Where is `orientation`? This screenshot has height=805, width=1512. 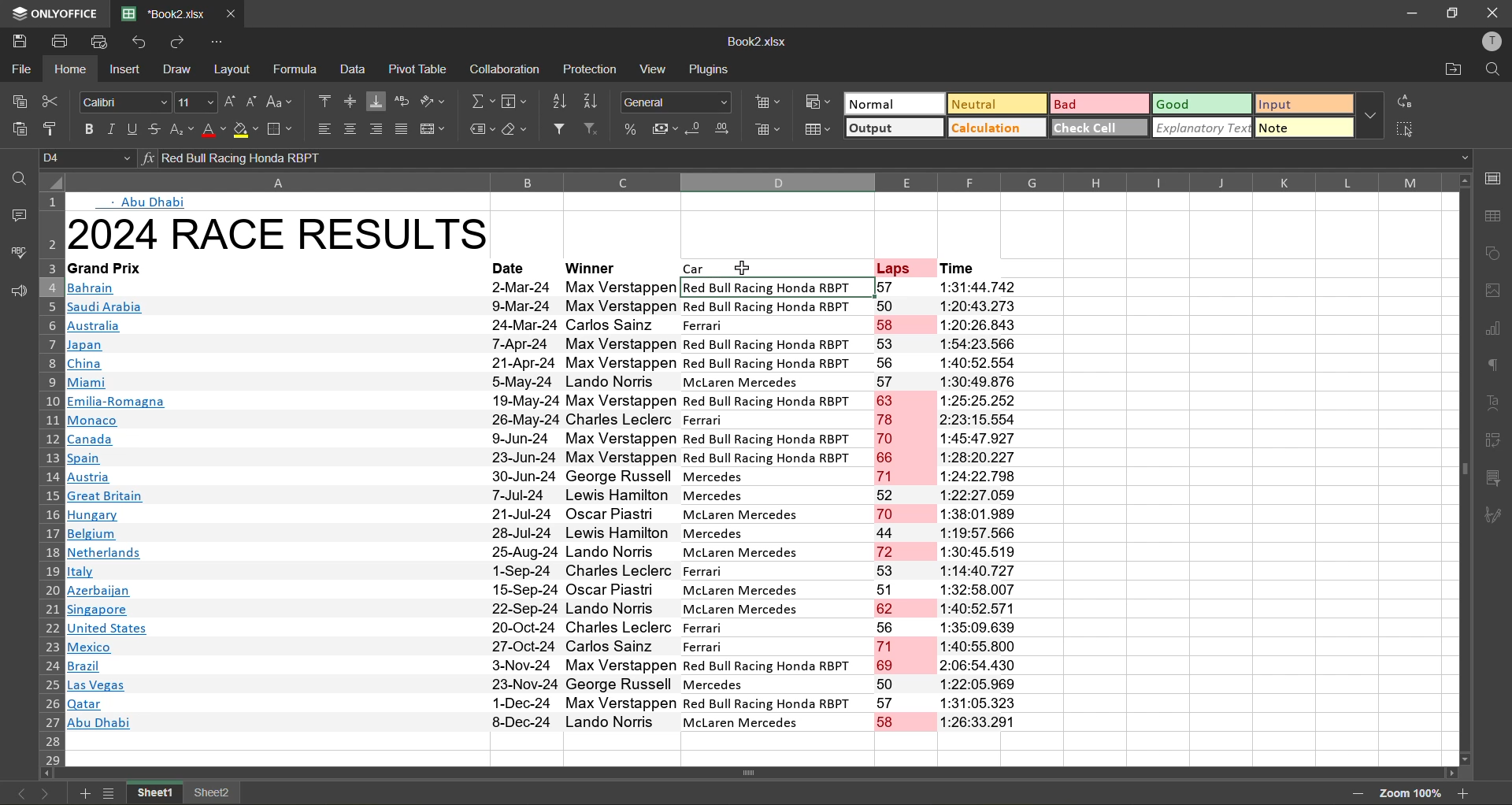 orientation is located at coordinates (435, 101).